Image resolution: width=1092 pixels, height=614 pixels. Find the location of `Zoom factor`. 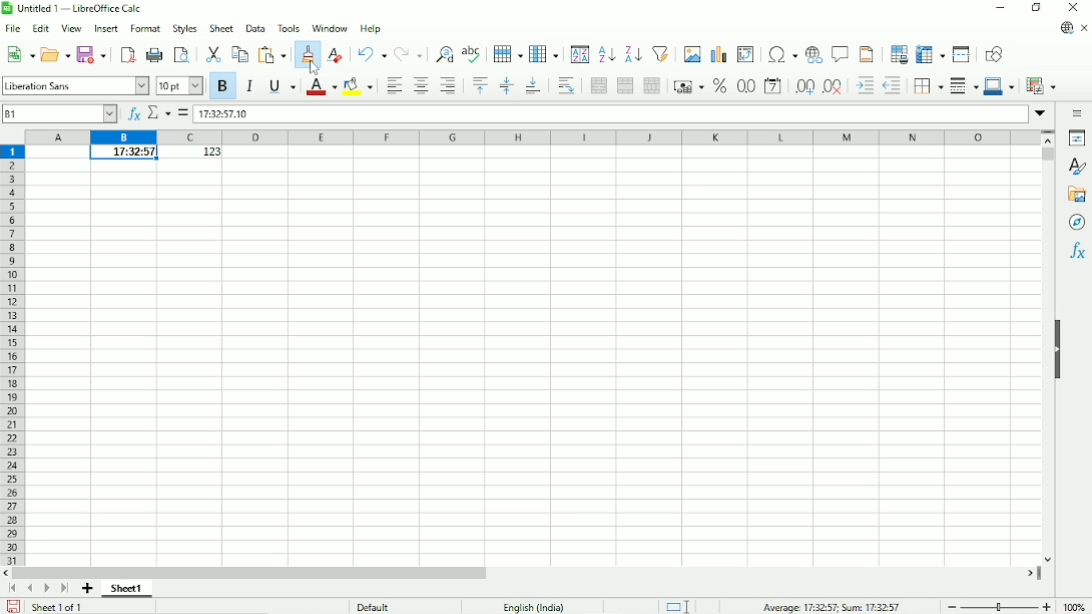

Zoom factor is located at coordinates (1075, 605).